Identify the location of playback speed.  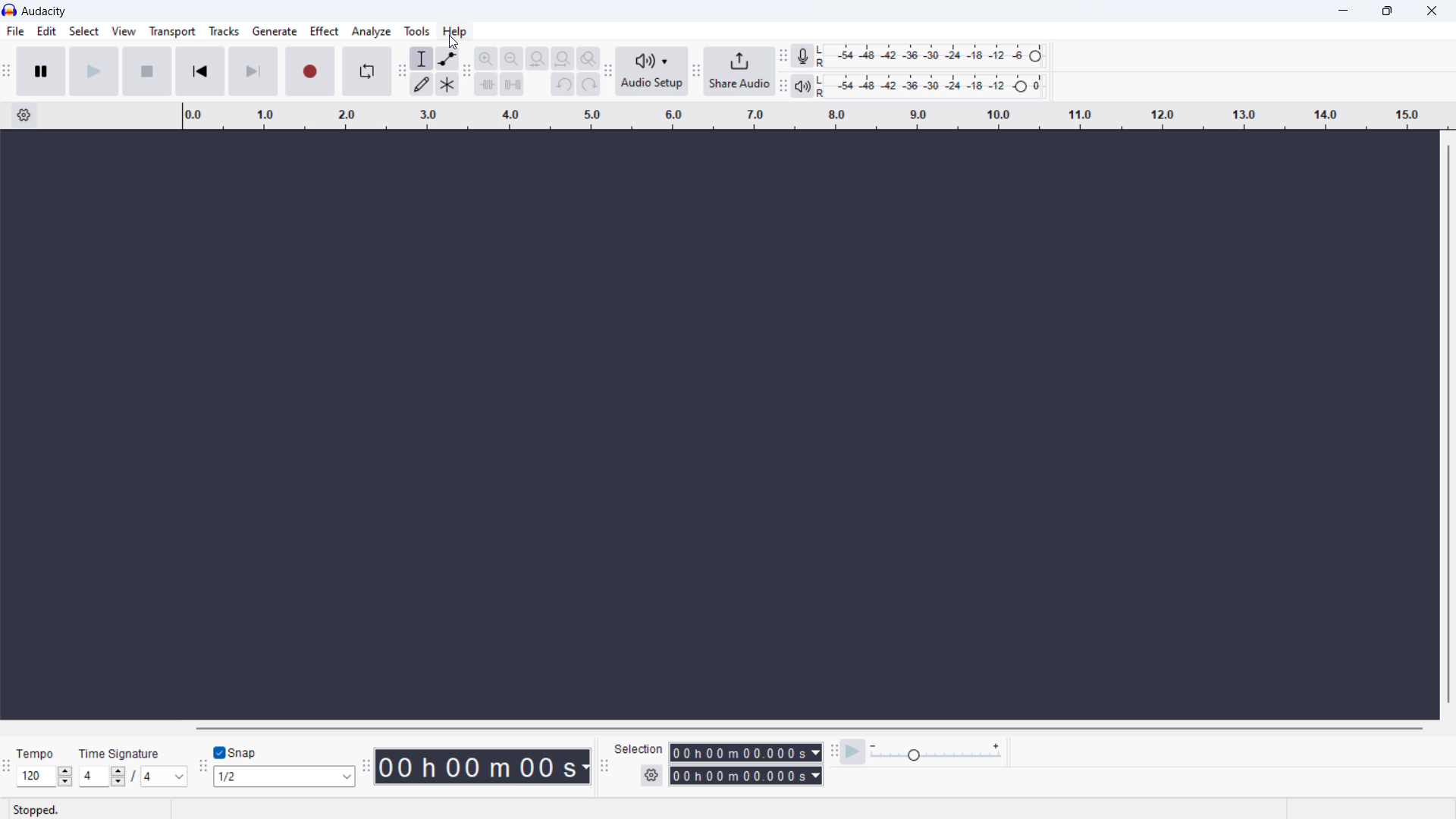
(937, 753).